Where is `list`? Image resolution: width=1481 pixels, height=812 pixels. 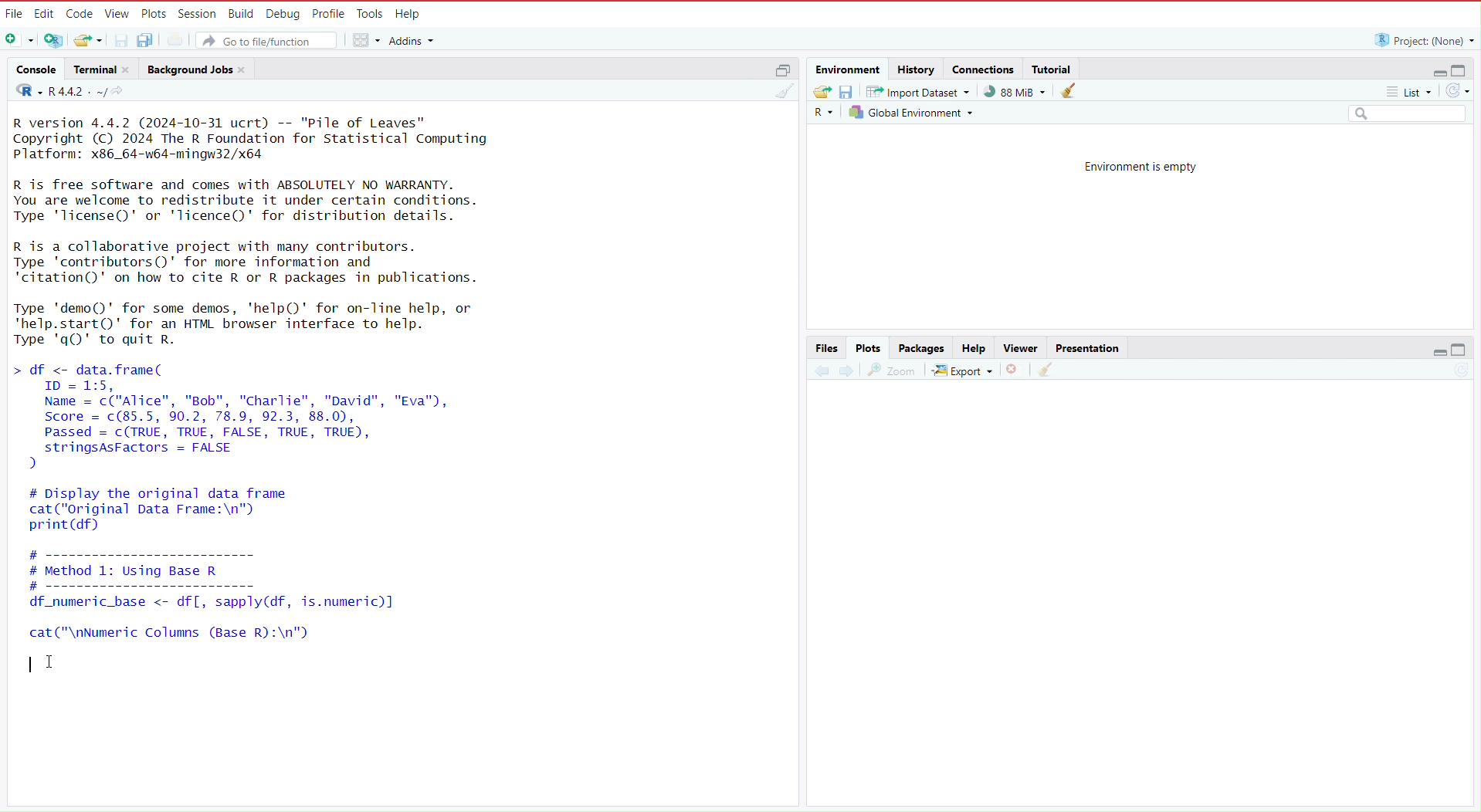
list is located at coordinates (1415, 91).